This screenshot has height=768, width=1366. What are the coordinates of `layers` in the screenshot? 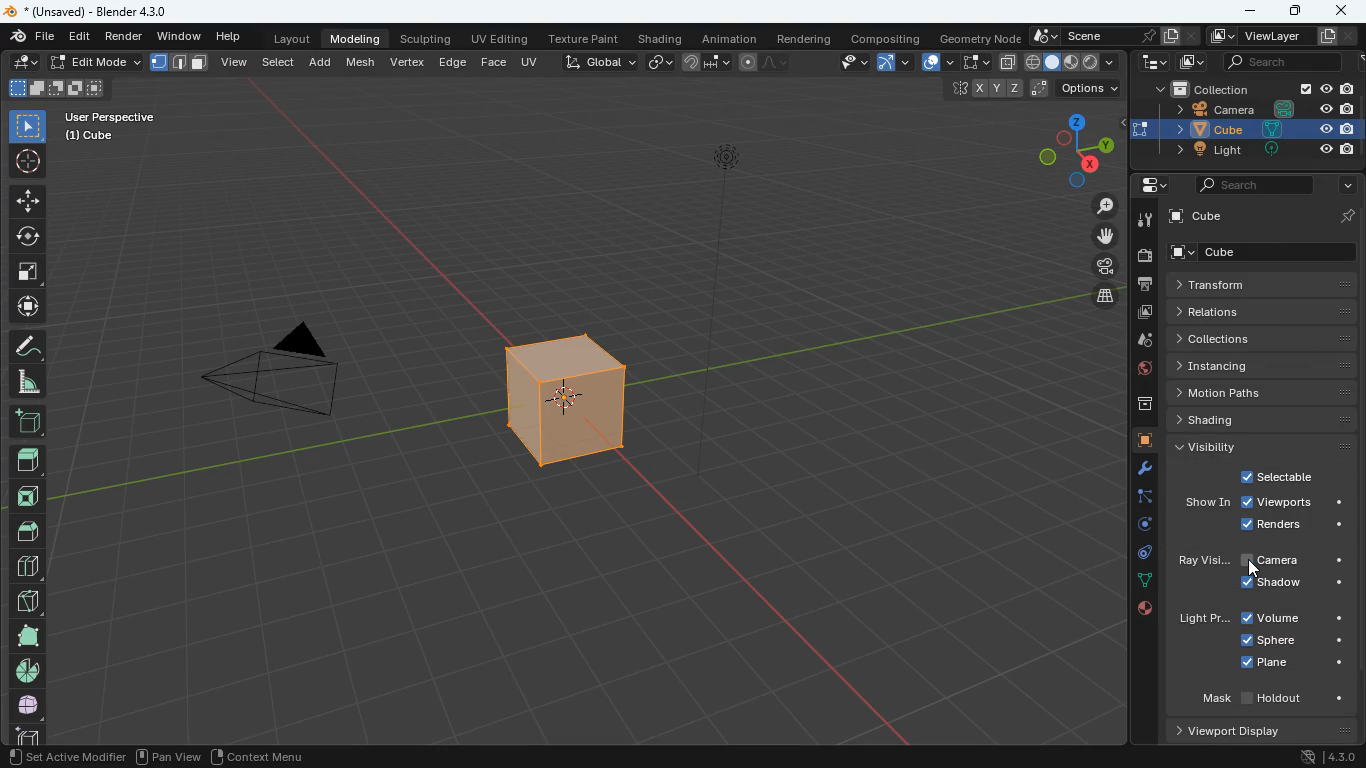 It's located at (1106, 299).